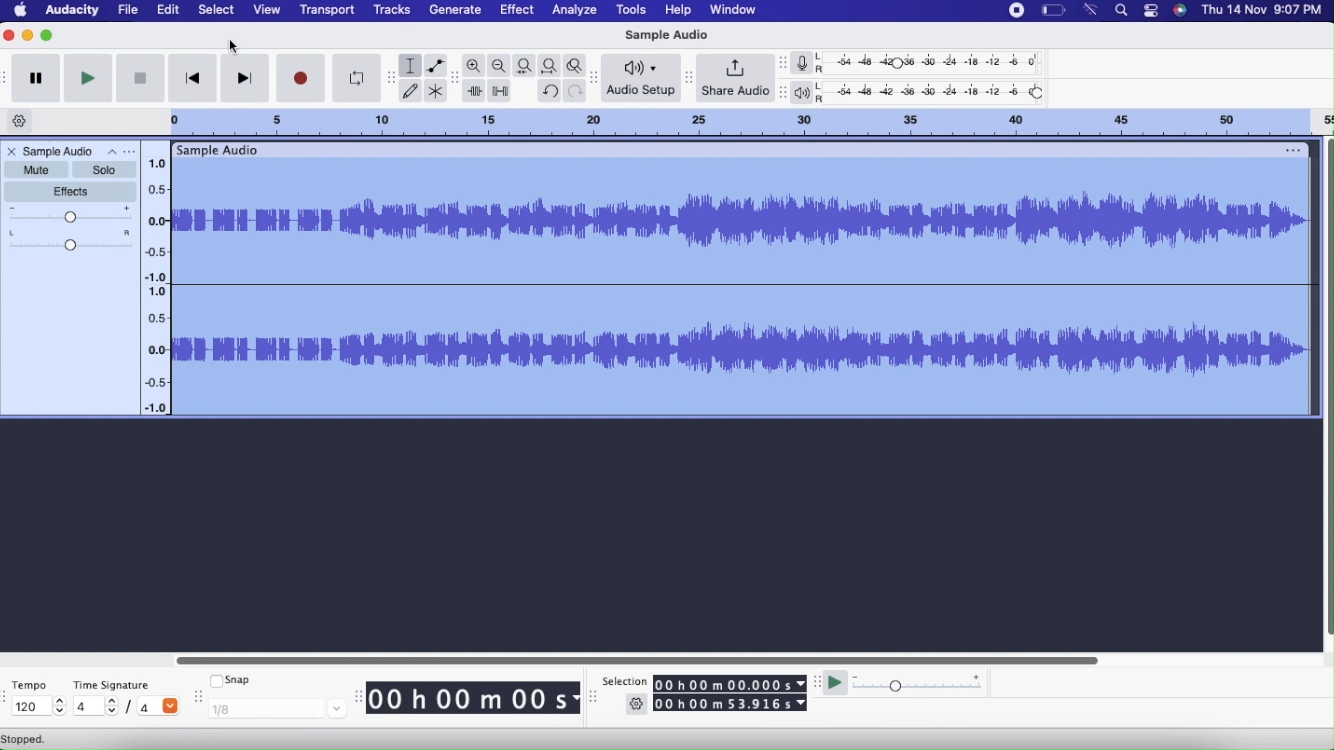  Describe the element at coordinates (412, 90) in the screenshot. I see `Draw tool` at that location.